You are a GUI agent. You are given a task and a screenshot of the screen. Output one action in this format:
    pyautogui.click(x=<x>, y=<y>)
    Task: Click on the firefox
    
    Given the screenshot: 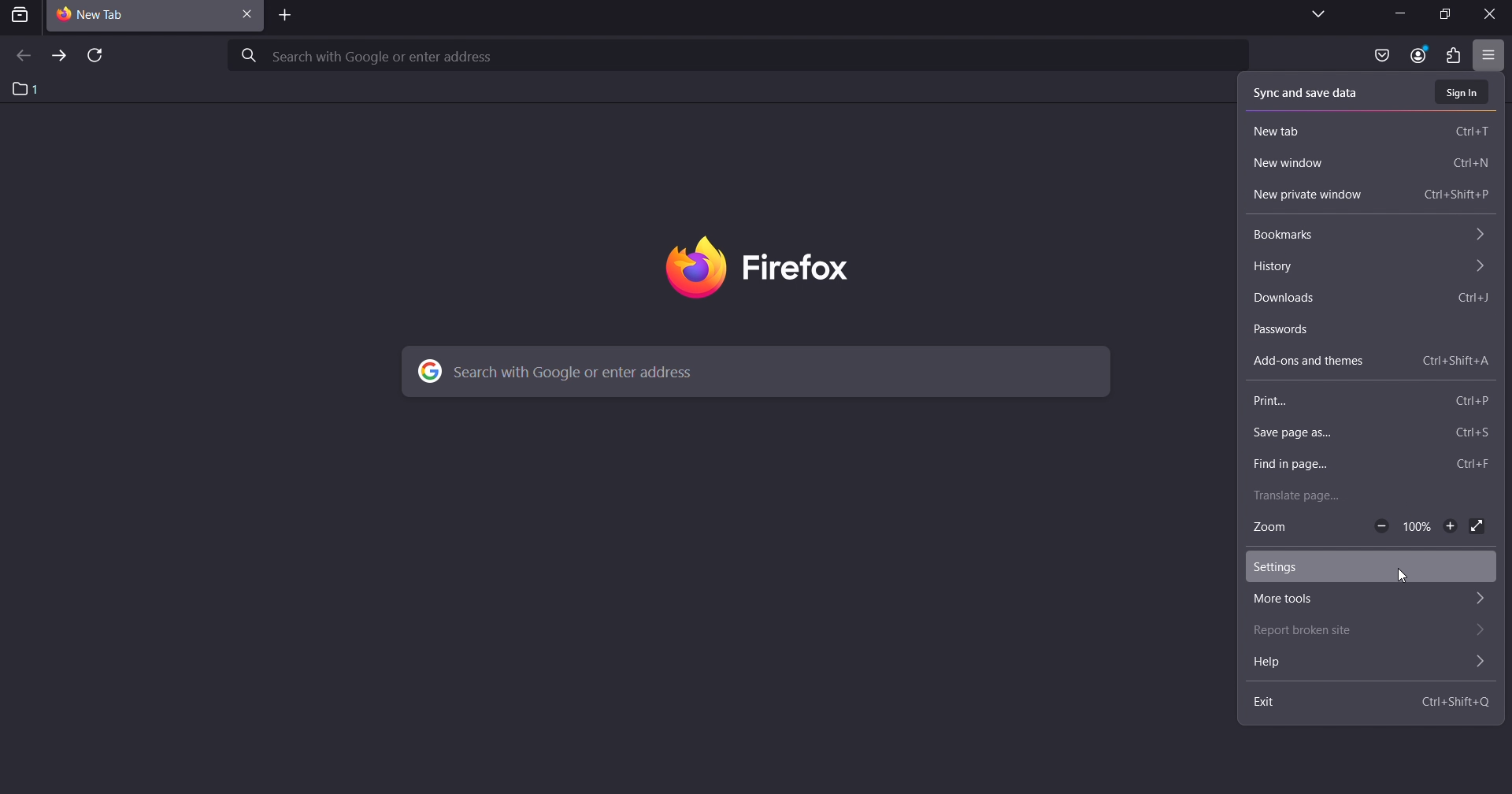 What is the action you would take?
    pyautogui.click(x=747, y=262)
    